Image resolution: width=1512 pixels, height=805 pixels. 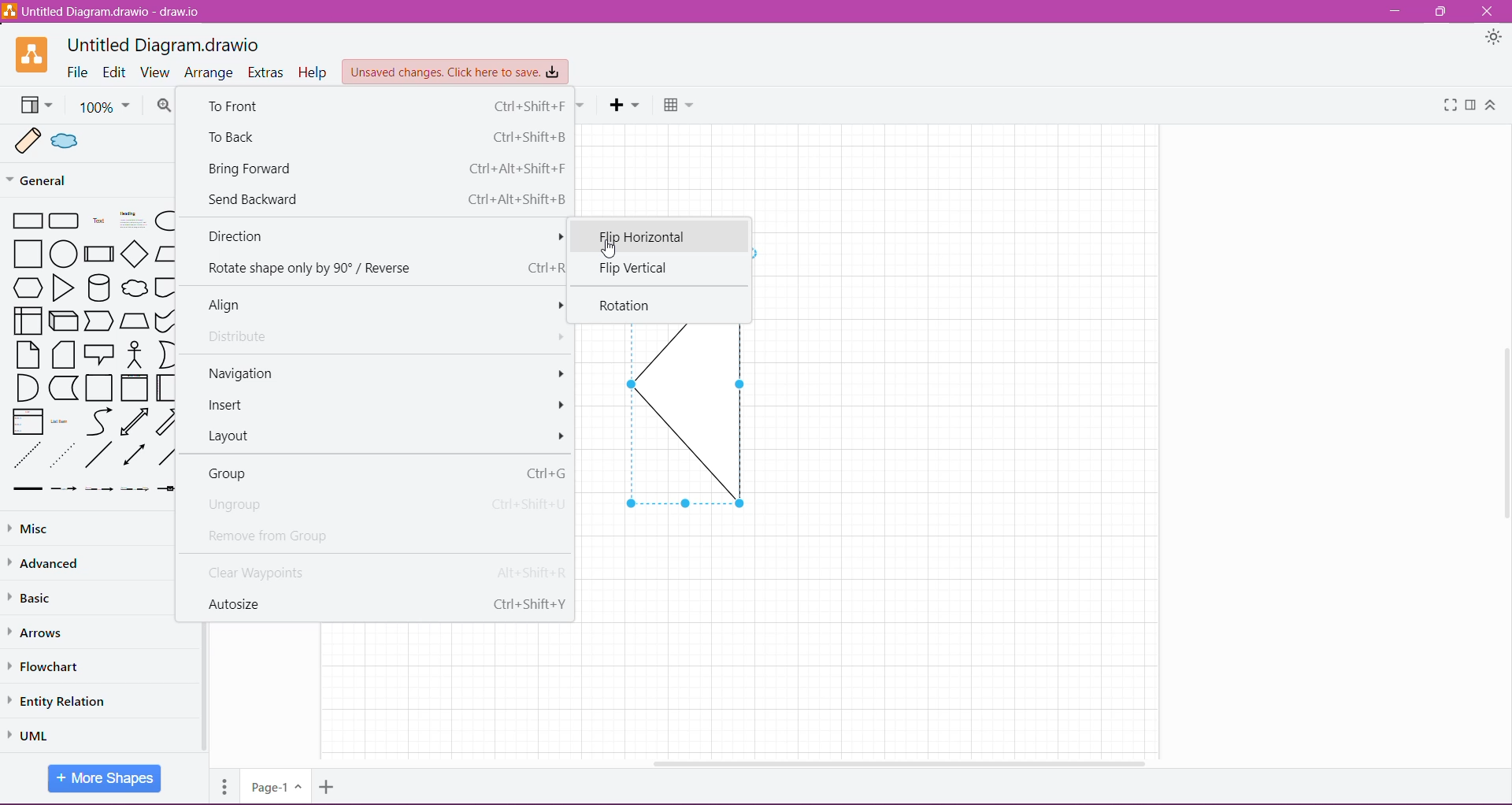 What do you see at coordinates (1495, 106) in the screenshot?
I see `Expand/Collapse` at bounding box center [1495, 106].